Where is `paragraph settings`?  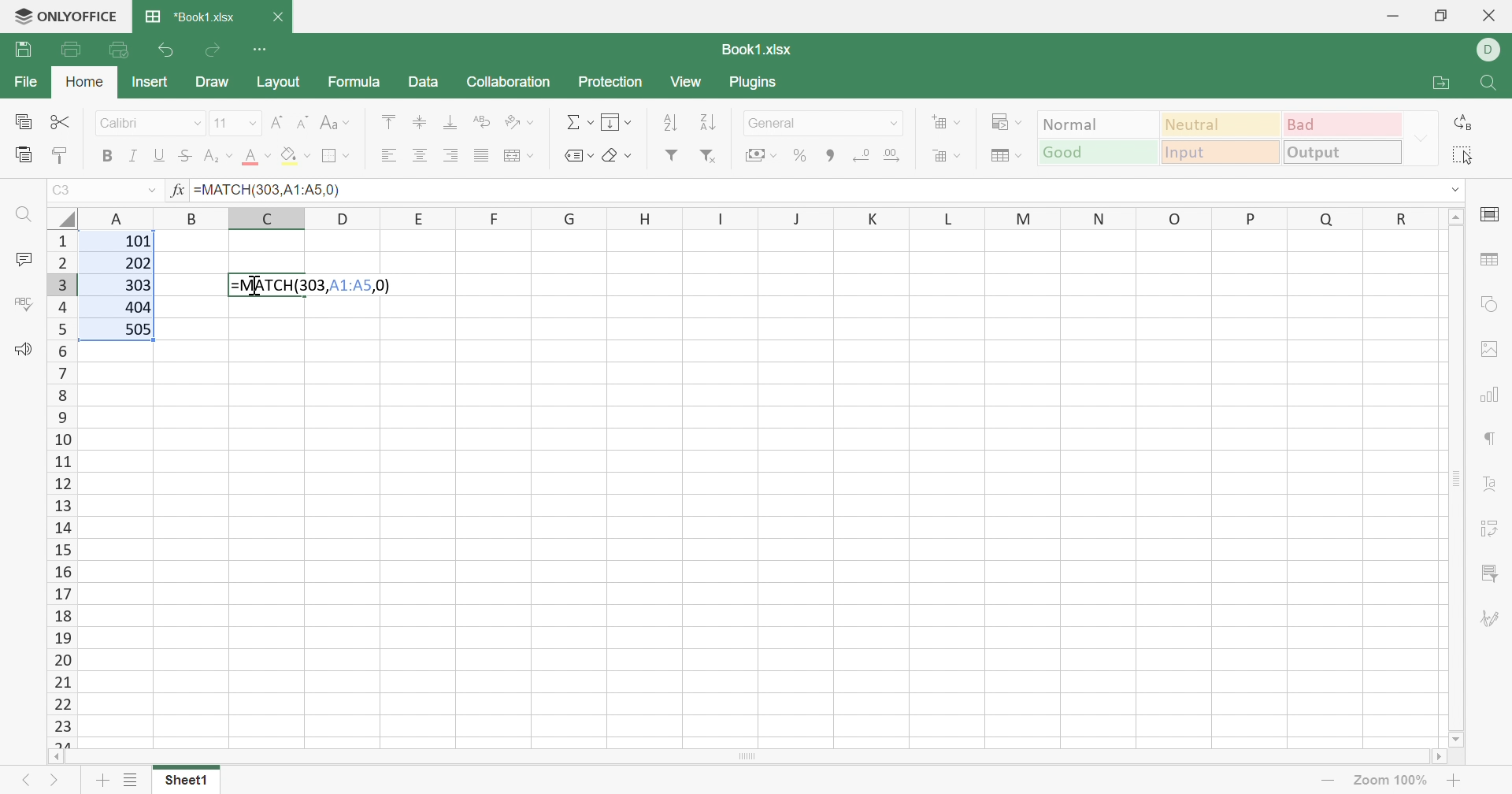 paragraph settings is located at coordinates (1492, 438).